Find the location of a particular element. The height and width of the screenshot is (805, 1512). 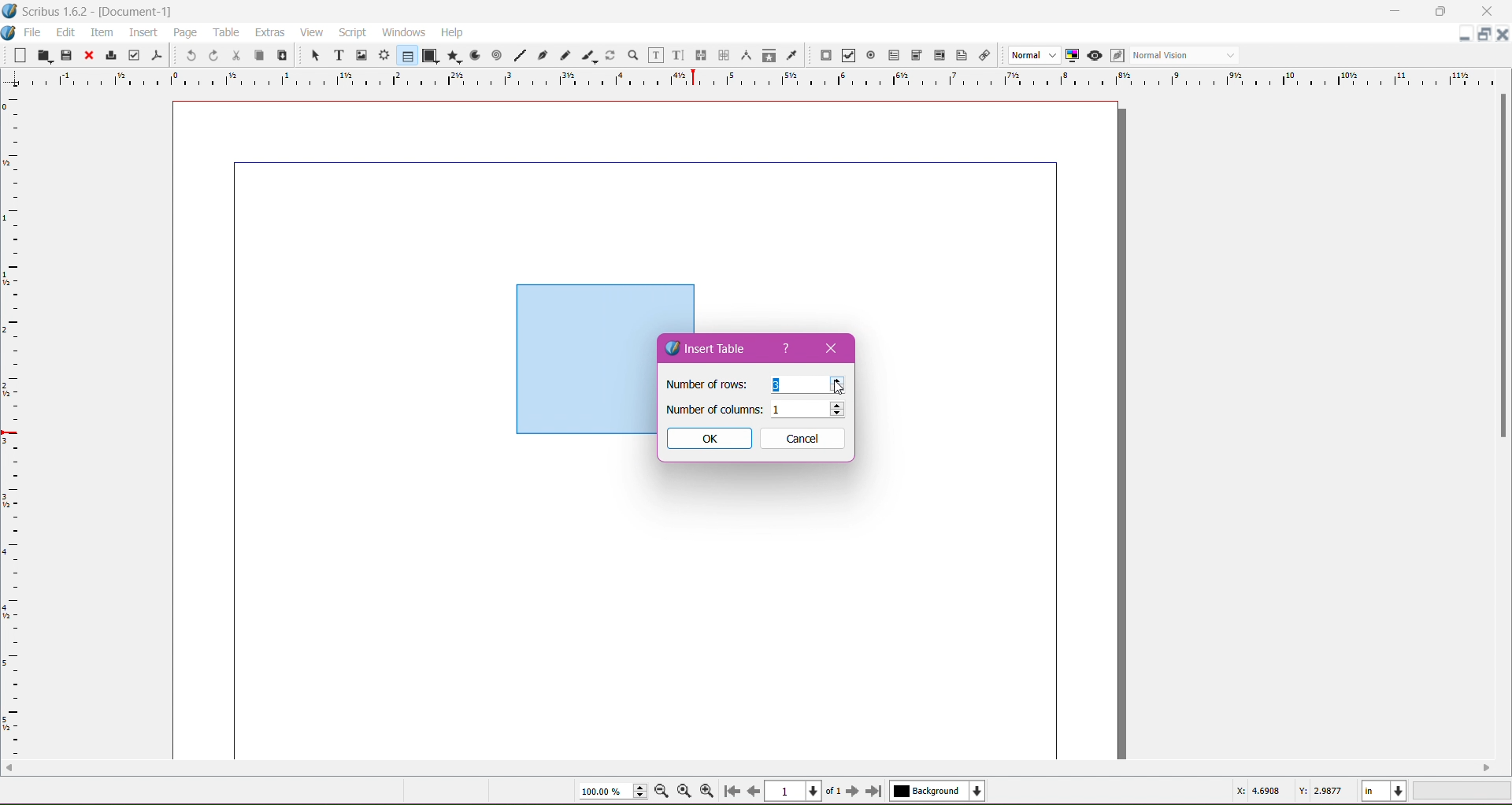

File is located at coordinates (32, 32).